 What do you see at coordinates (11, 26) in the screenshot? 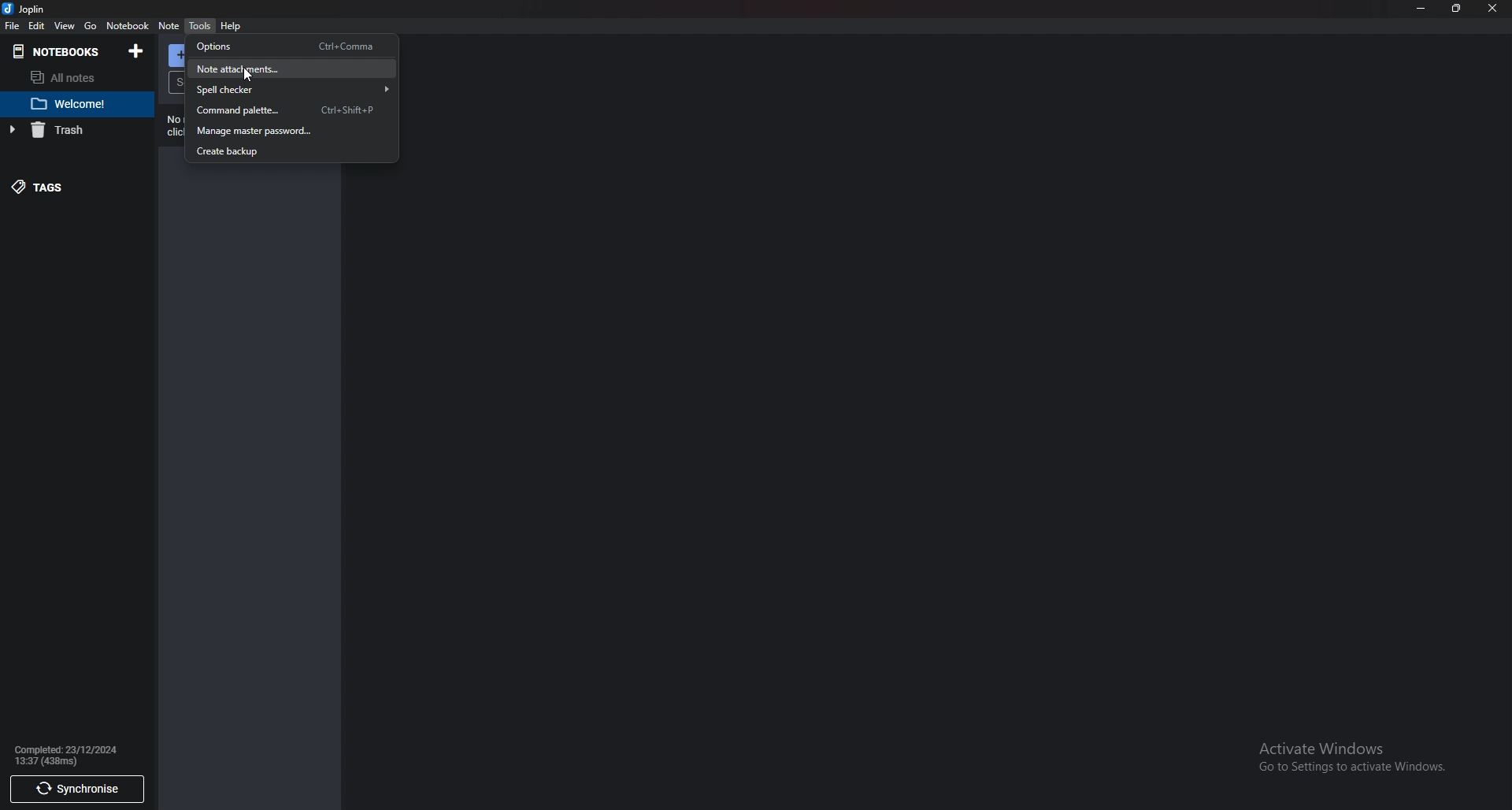
I see `file` at bounding box center [11, 26].